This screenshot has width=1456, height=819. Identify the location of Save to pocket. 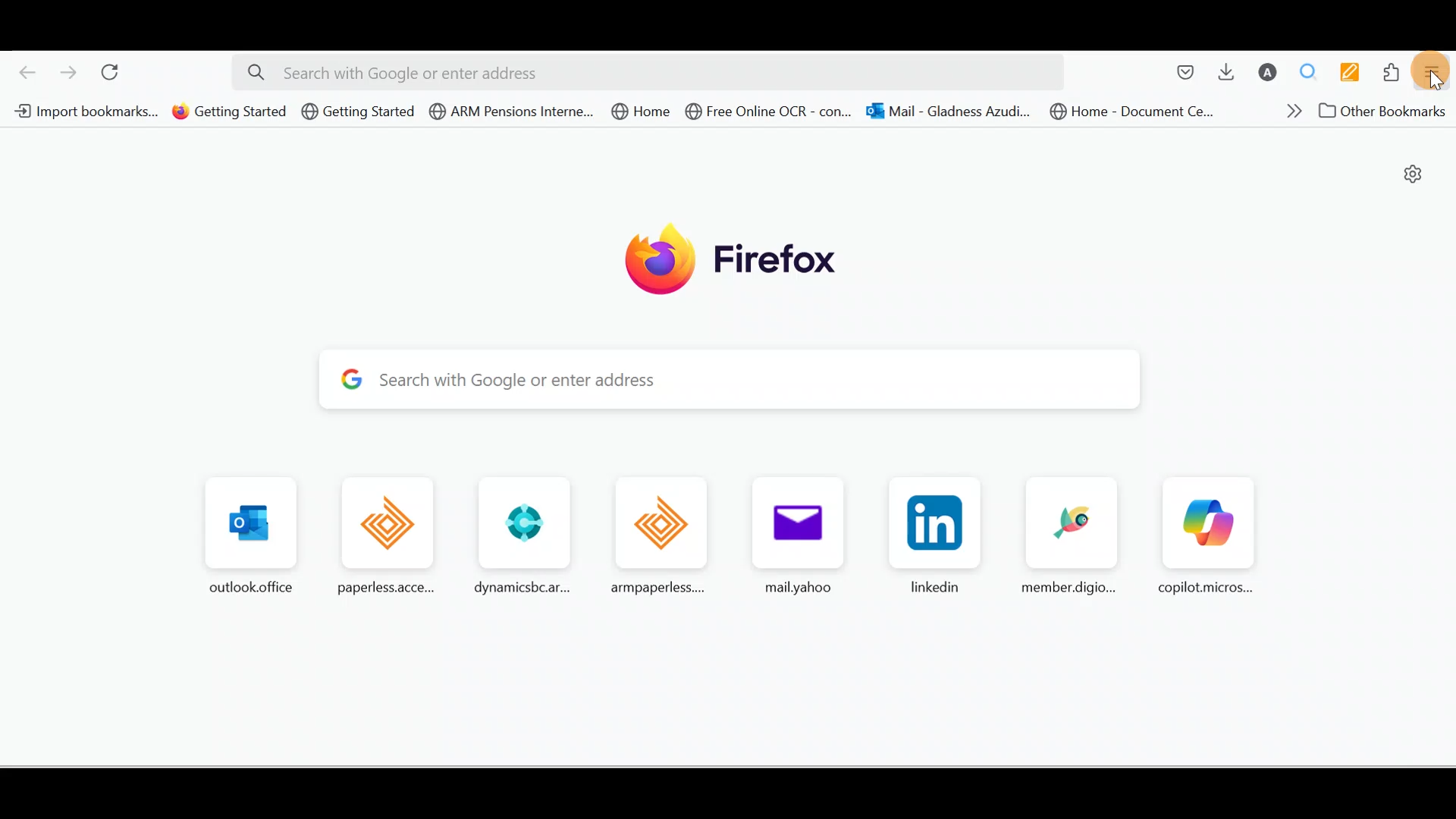
(1180, 73).